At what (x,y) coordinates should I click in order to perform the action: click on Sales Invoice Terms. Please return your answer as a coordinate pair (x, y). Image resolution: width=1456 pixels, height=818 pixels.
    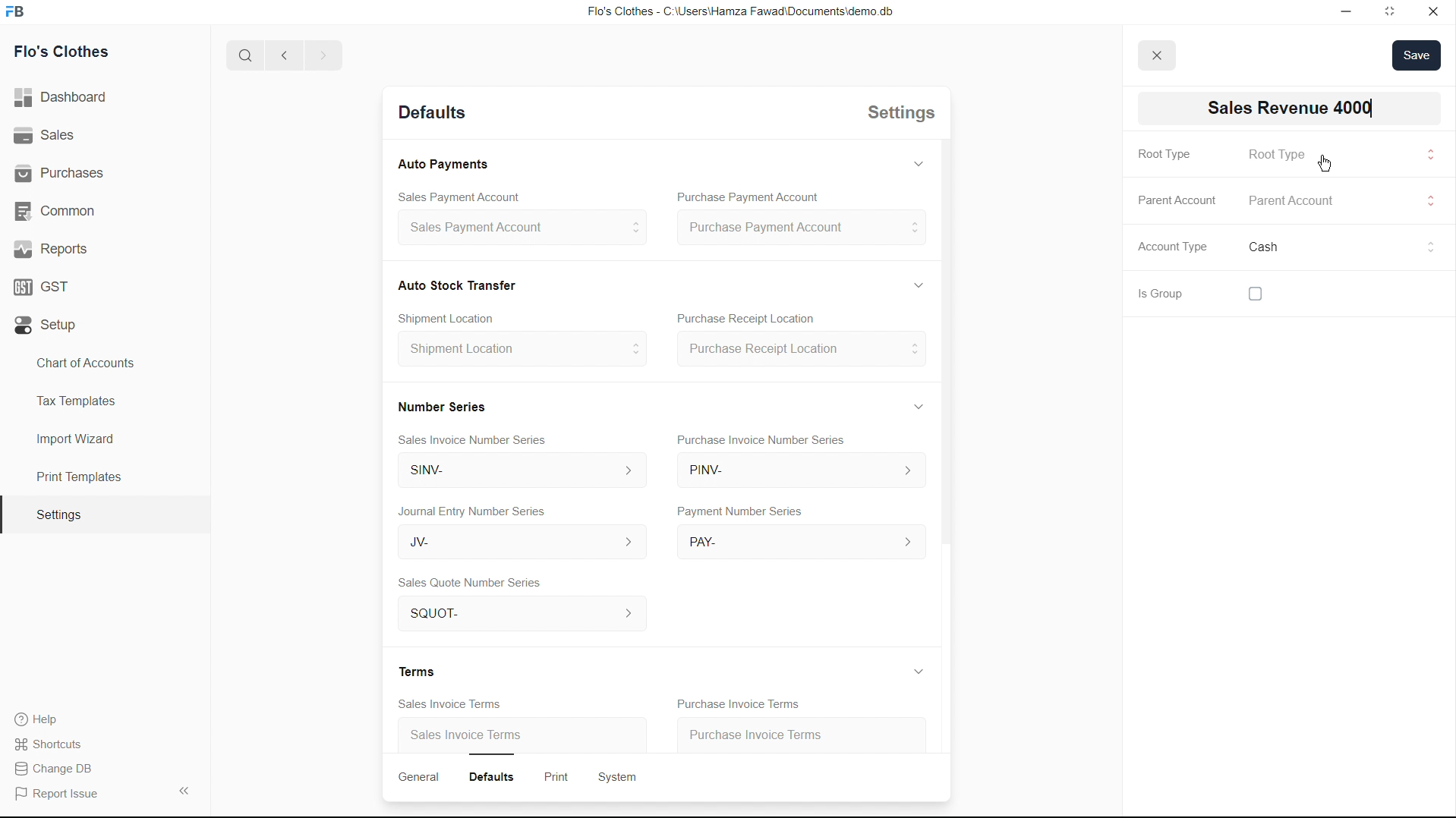
    Looking at the image, I should click on (468, 737).